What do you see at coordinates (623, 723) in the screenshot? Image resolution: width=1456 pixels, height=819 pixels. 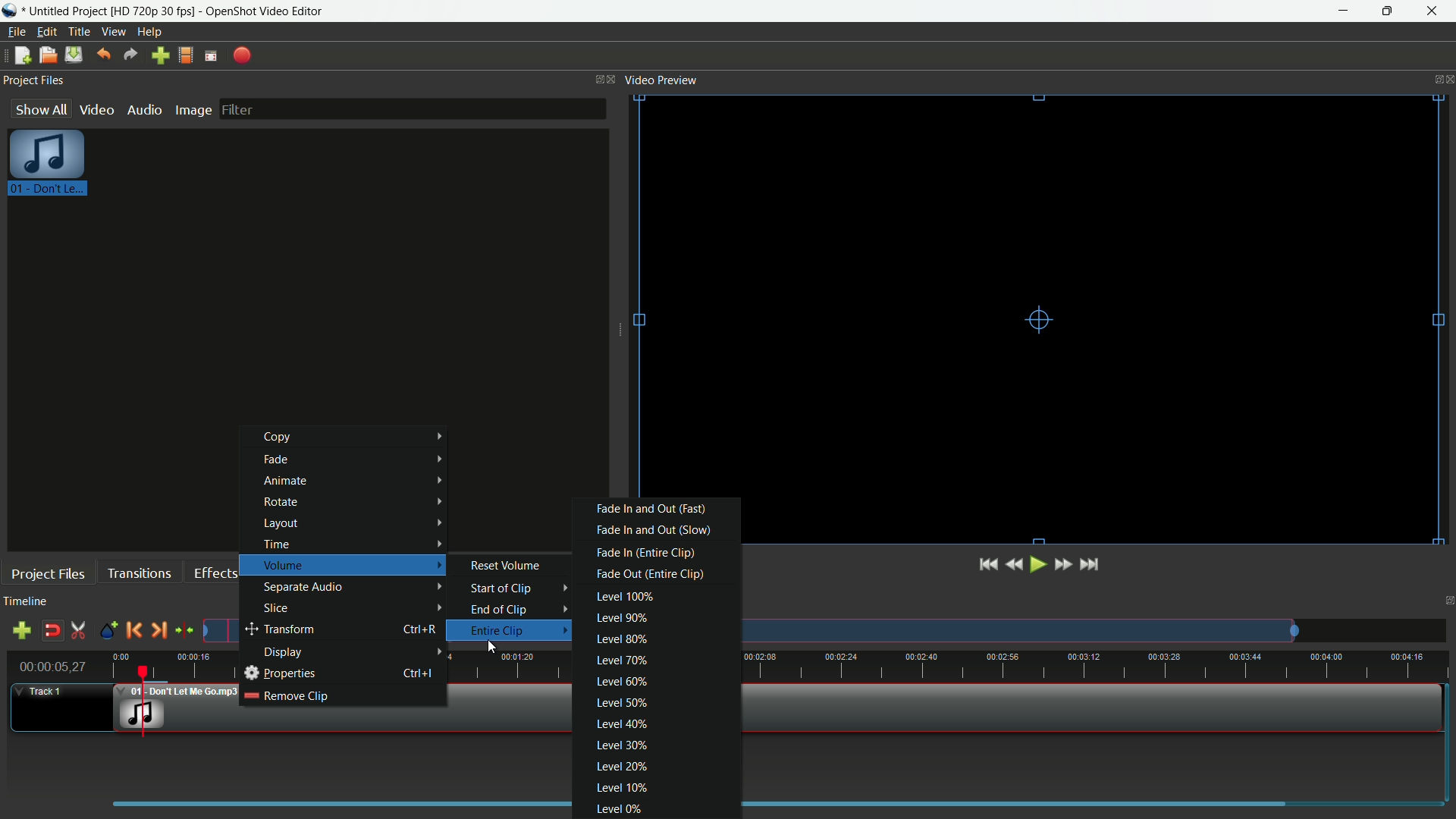 I see `level 40%` at bounding box center [623, 723].